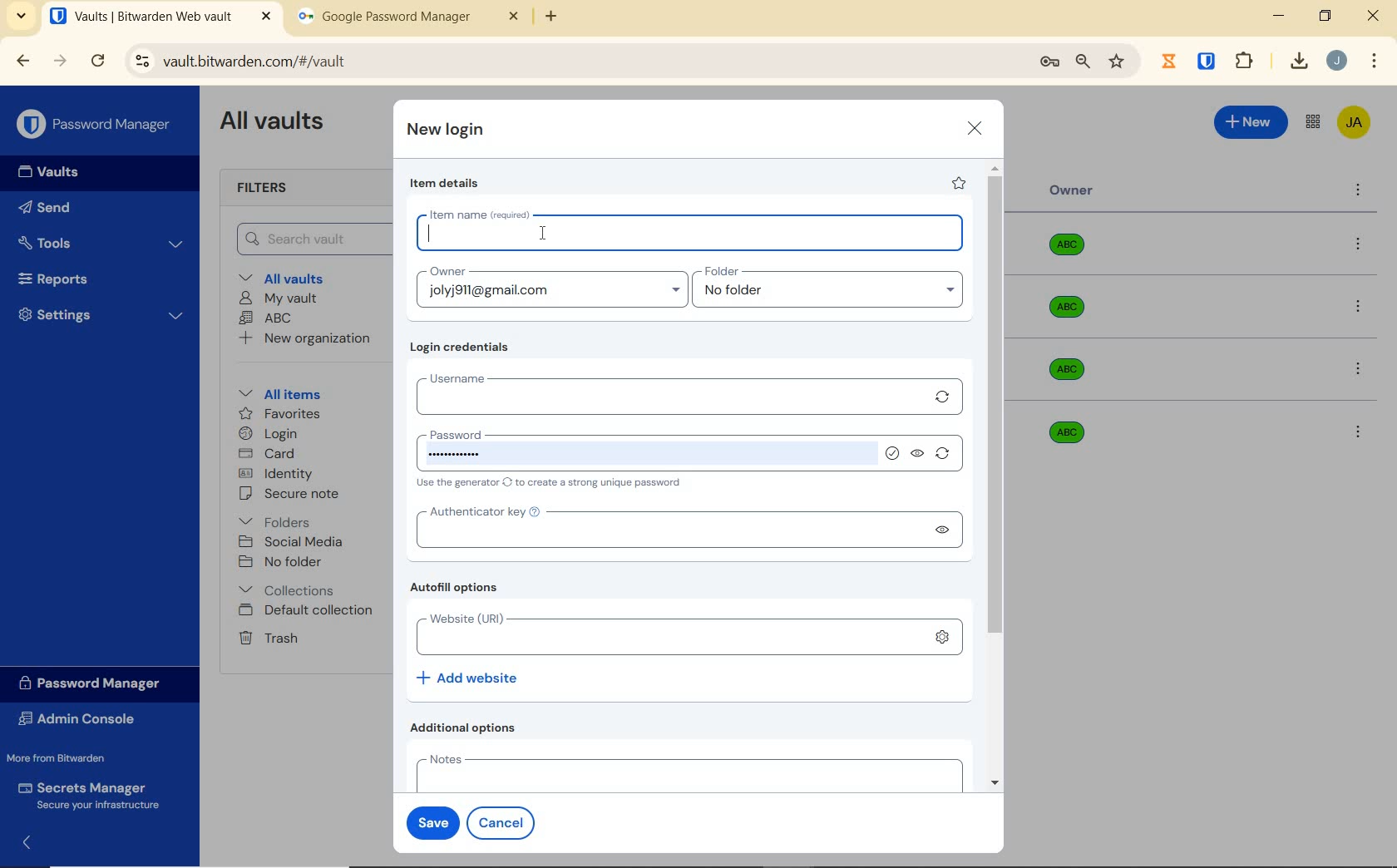 The image size is (1397, 868). Describe the element at coordinates (101, 244) in the screenshot. I see `Tools` at that location.